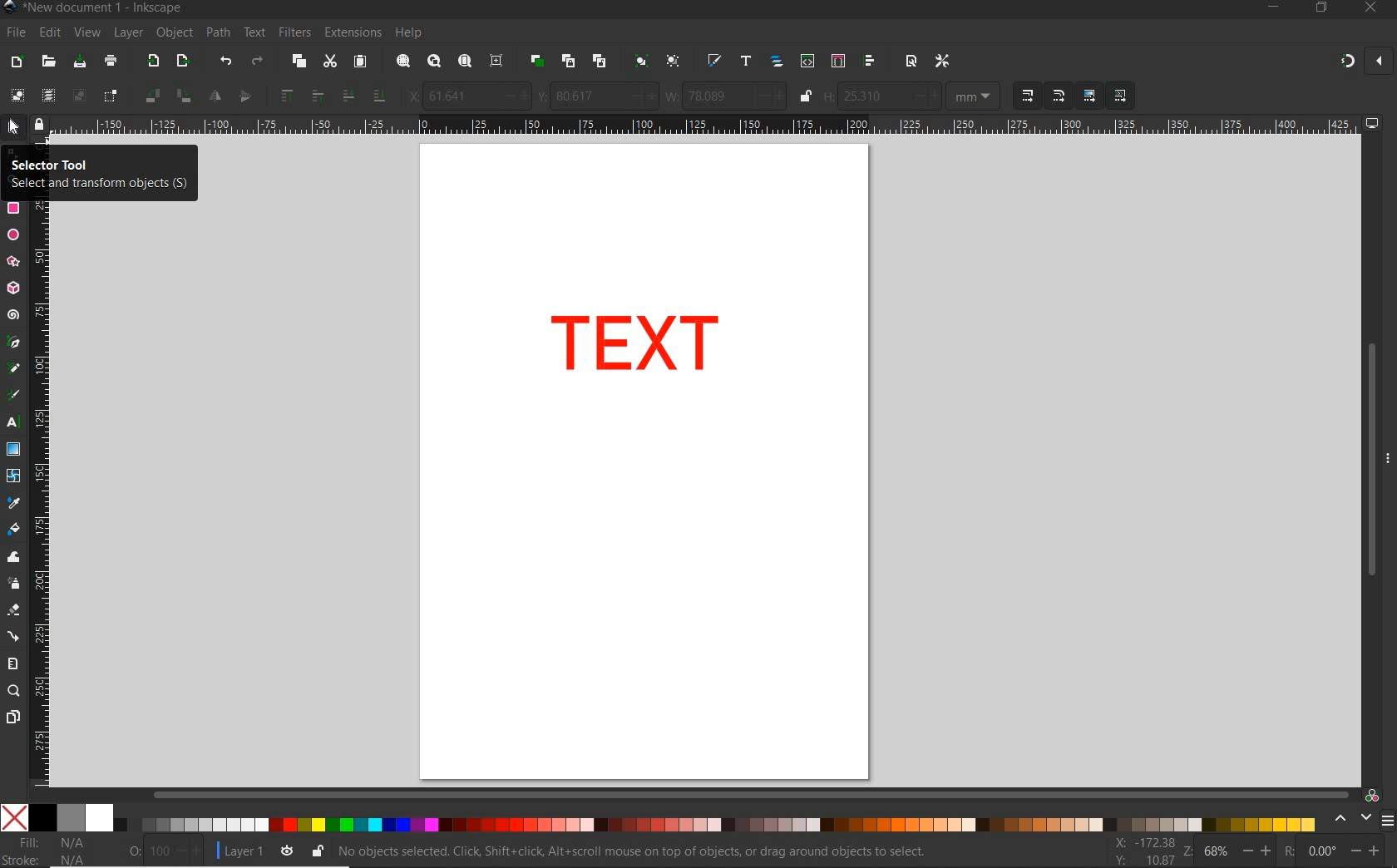 The width and height of the screenshot is (1397, 868). I want to click on eraser tool, so click(12, 611).